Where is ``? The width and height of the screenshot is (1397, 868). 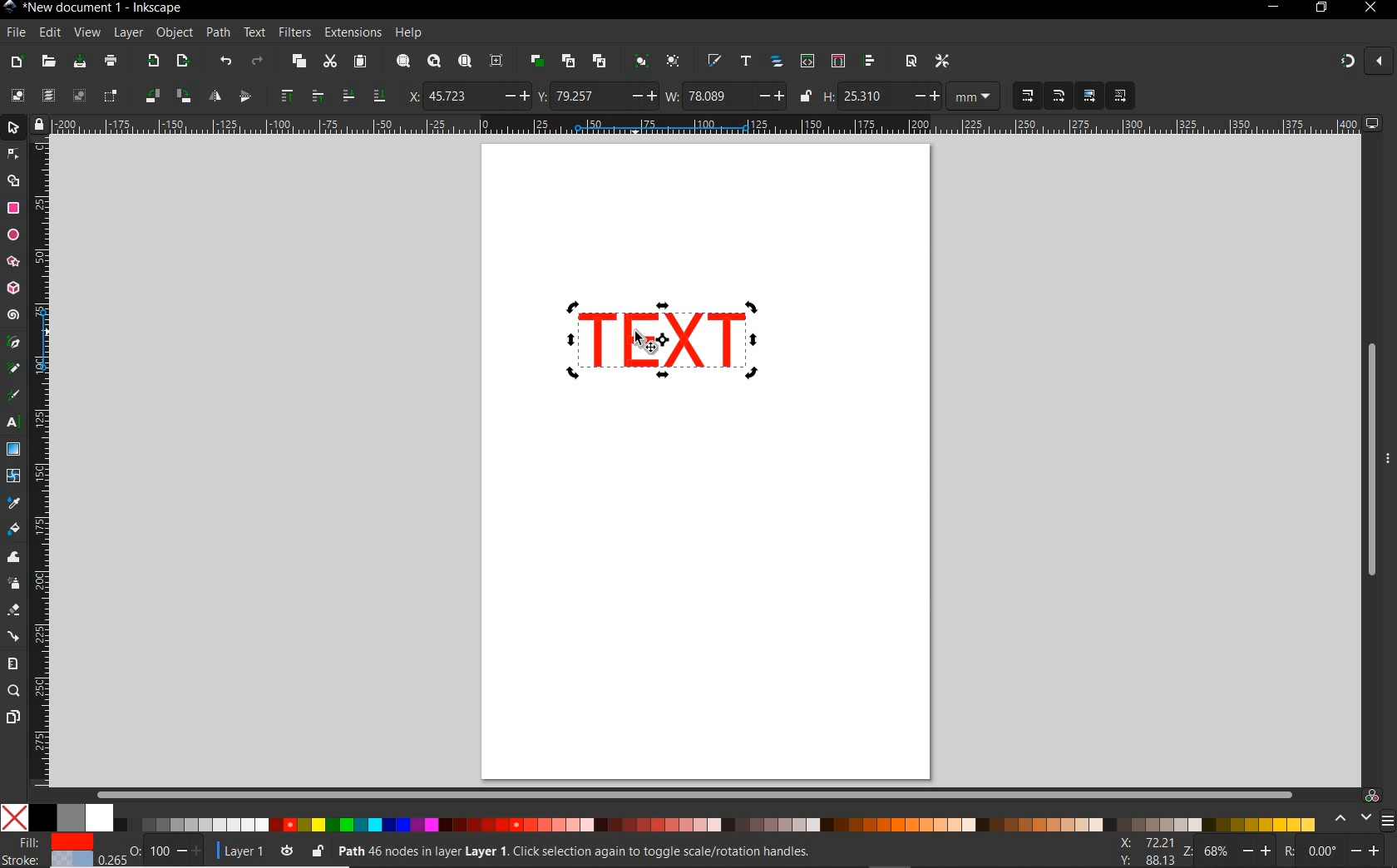  is located at coordinates (1341, 851).